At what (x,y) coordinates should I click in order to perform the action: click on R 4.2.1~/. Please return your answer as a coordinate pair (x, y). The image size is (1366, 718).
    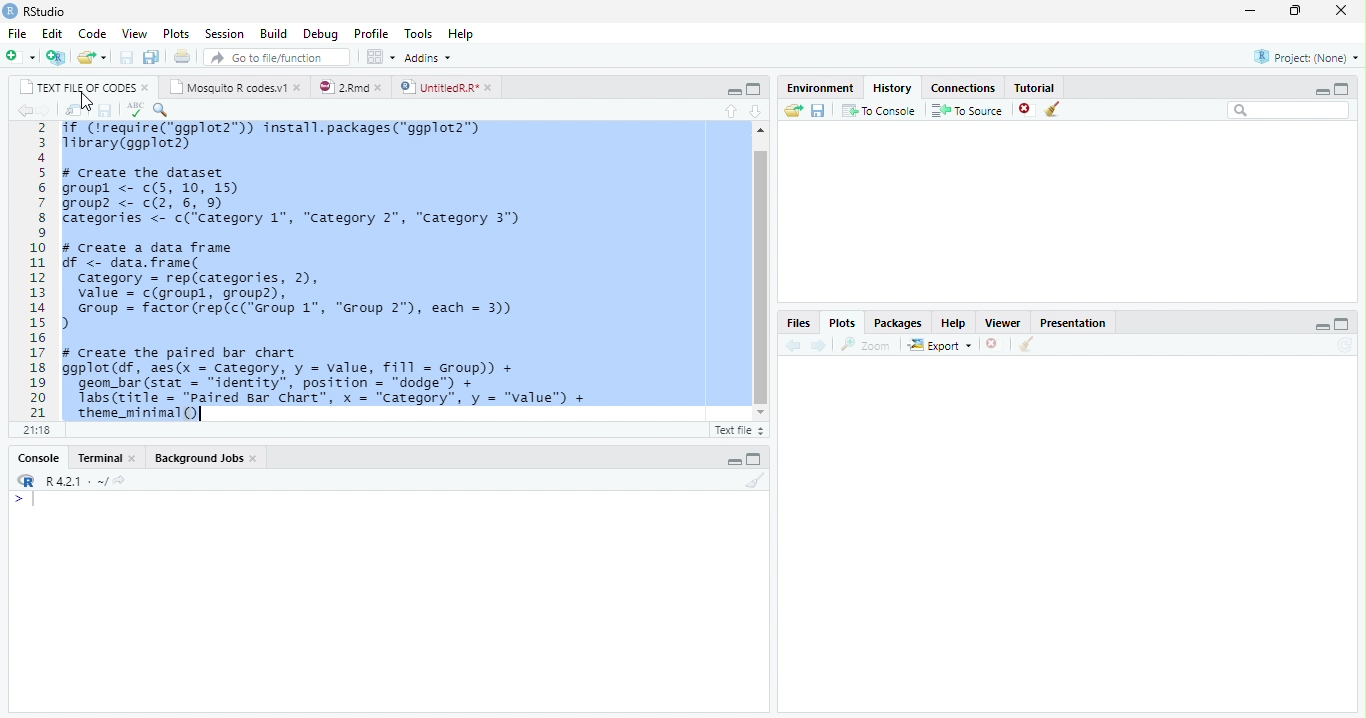
    Looking at the image, I should click on (75, 481).